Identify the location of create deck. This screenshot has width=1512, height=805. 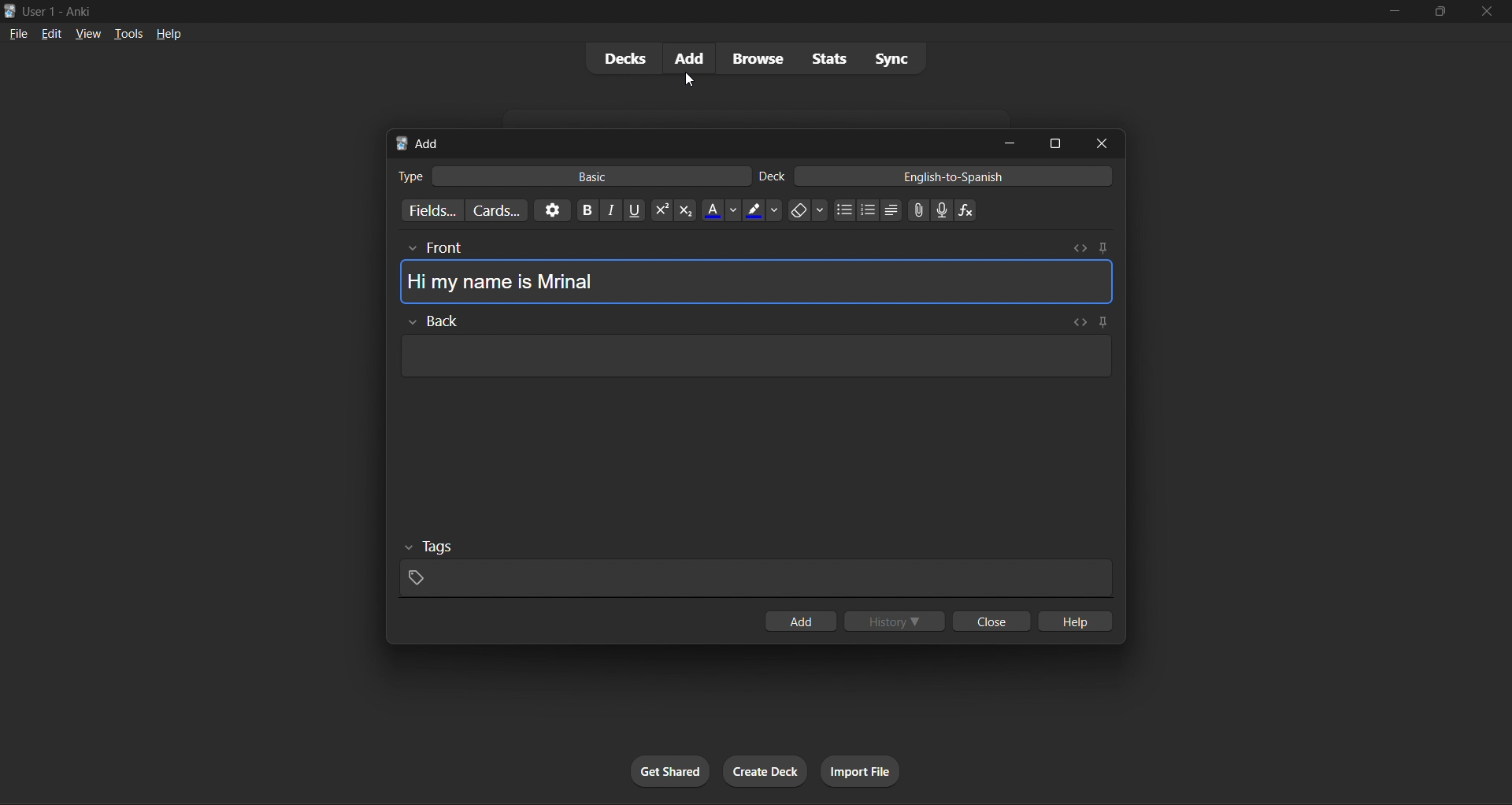
(762, 769).